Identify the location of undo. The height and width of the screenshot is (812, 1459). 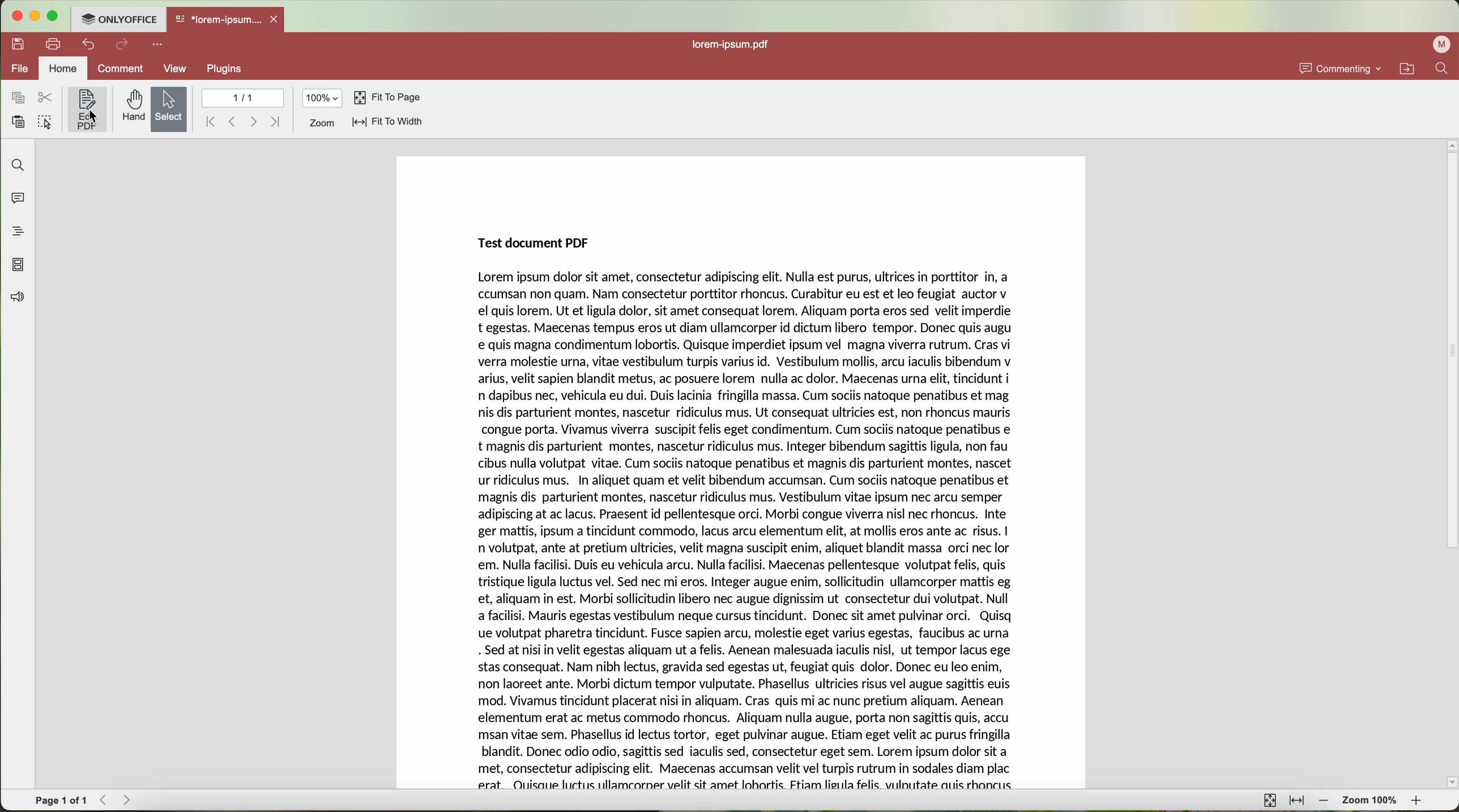
(90, 44).